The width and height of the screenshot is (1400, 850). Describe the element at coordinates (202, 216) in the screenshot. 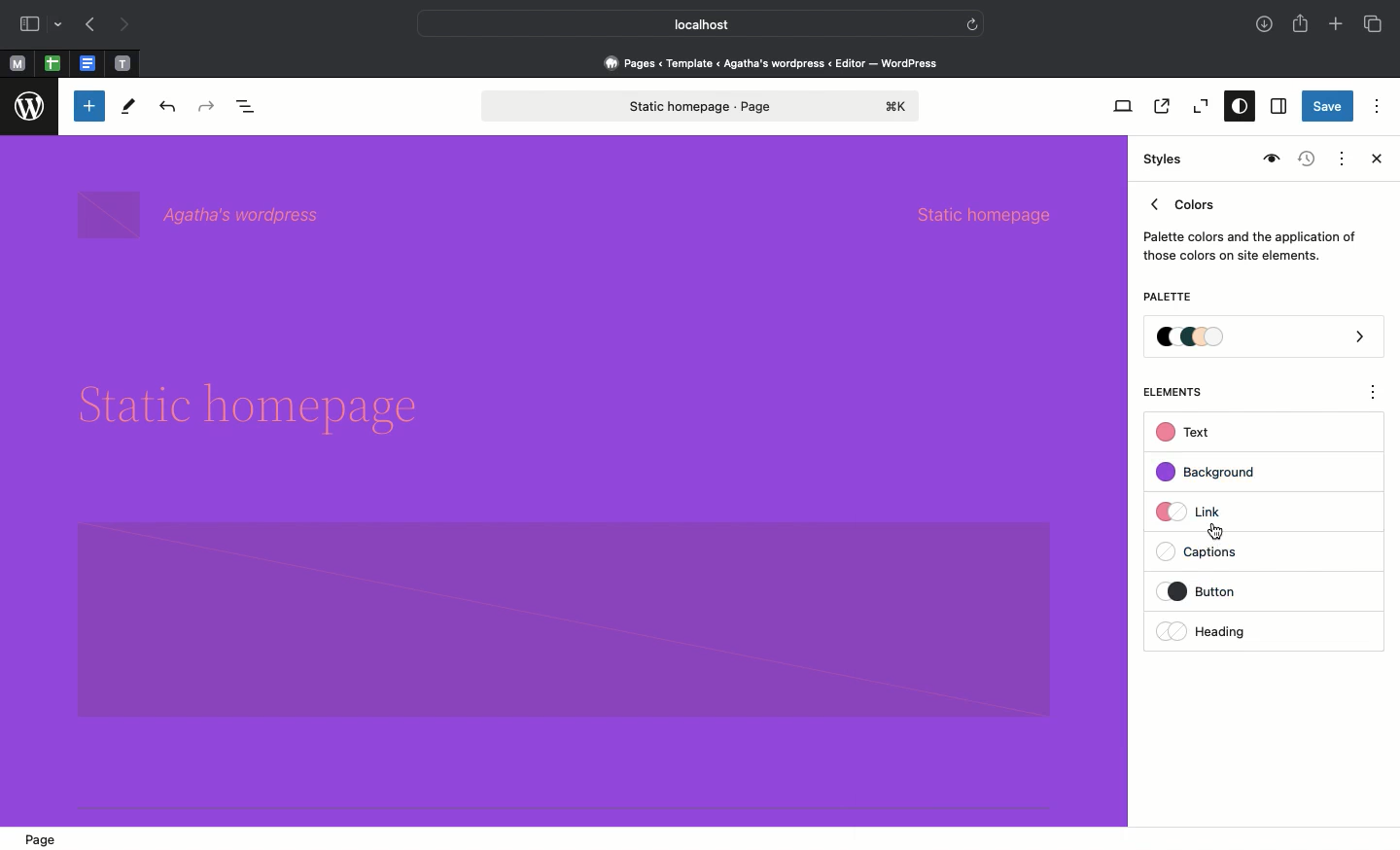

I see `Wordpress name` at that location.